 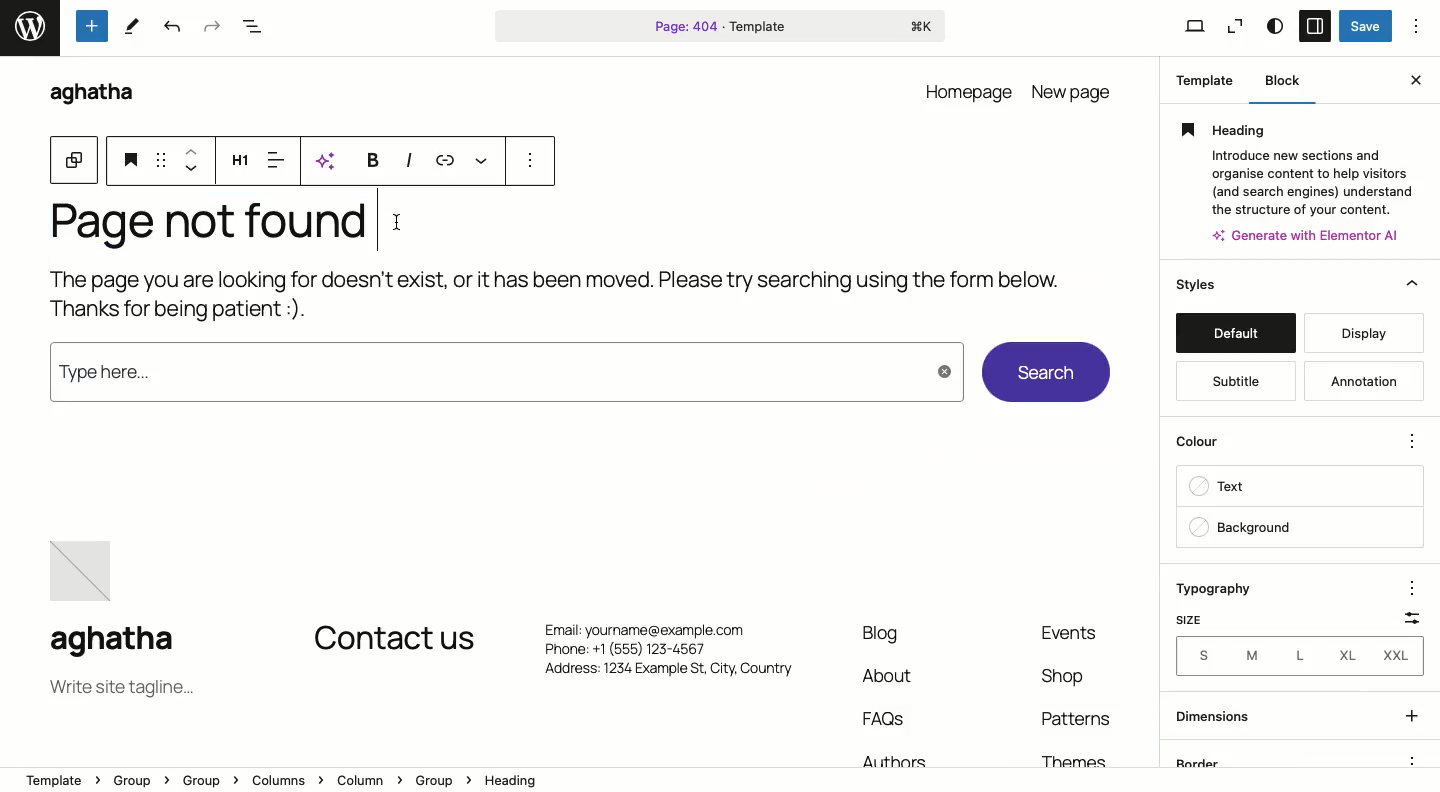 I want to click on Blog, so click(x=882, y=634).